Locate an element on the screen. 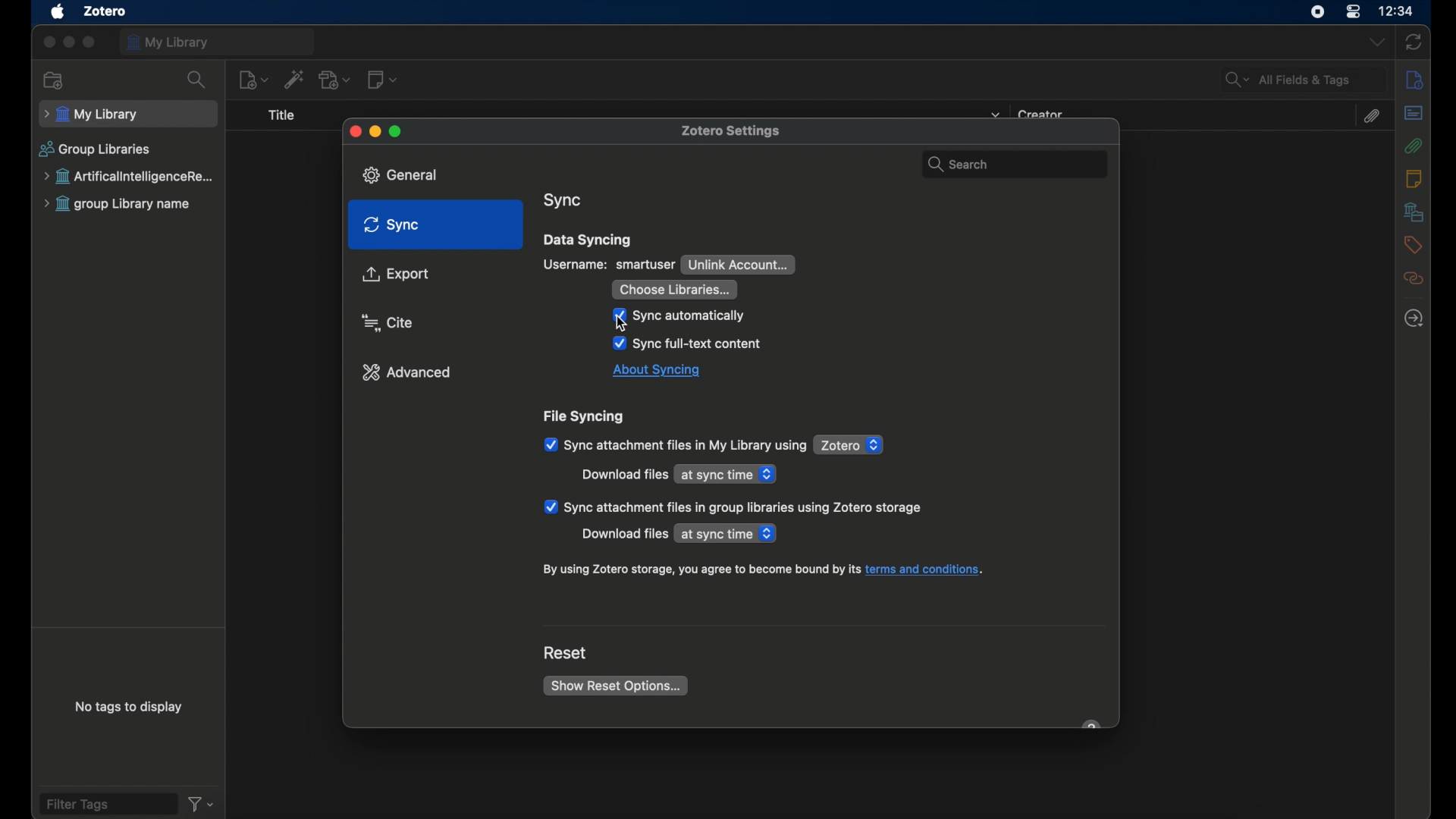 This screenshot has width=1456, height=819. download files is located at coordinates (624, 475).